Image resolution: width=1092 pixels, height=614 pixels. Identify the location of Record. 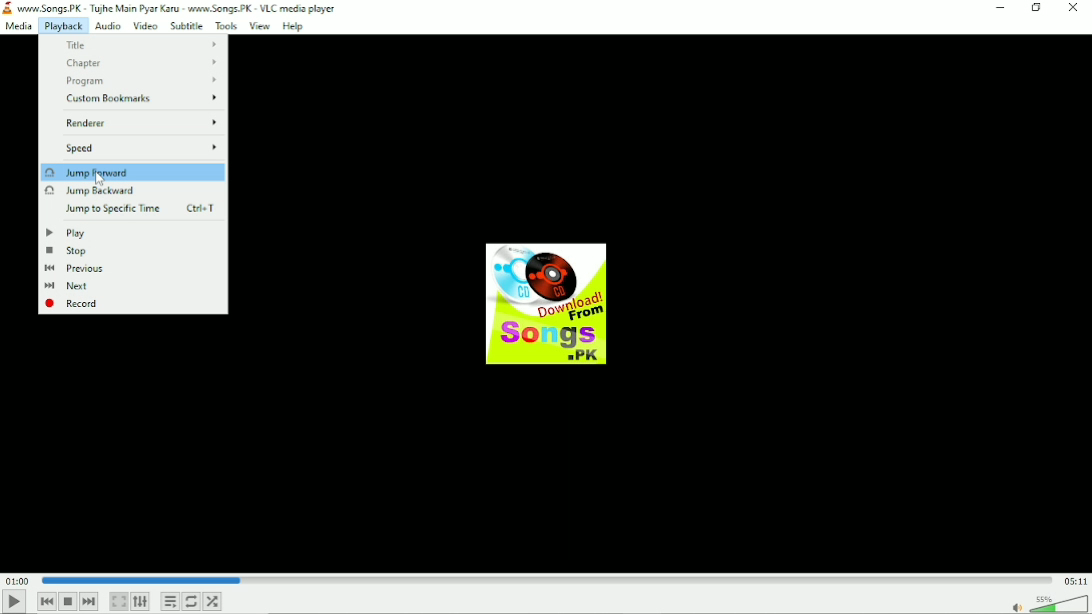
(73, 304).